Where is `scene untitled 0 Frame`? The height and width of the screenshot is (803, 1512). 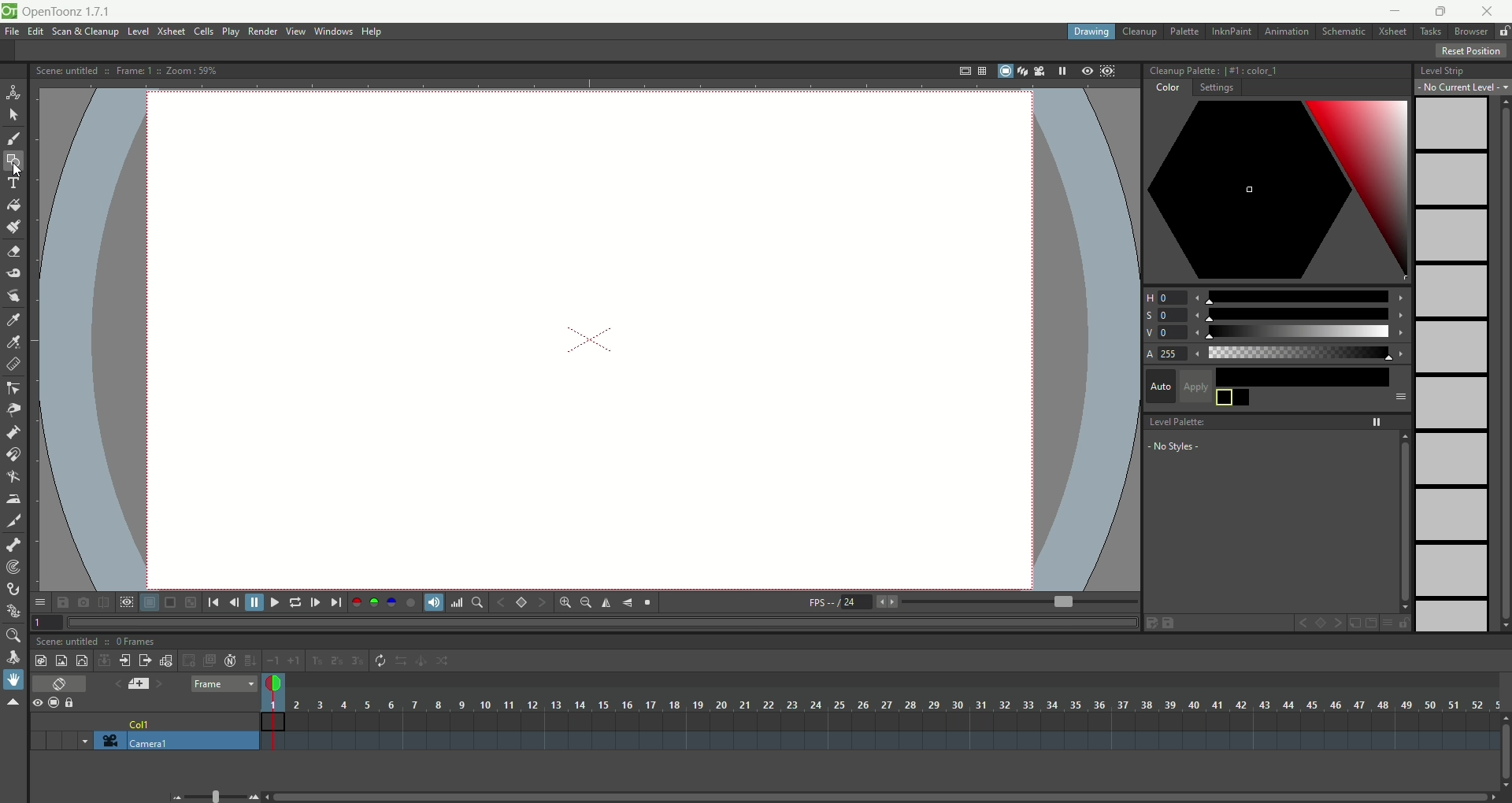
scene untitled 0 Frame is located at coordinates (97, 642).